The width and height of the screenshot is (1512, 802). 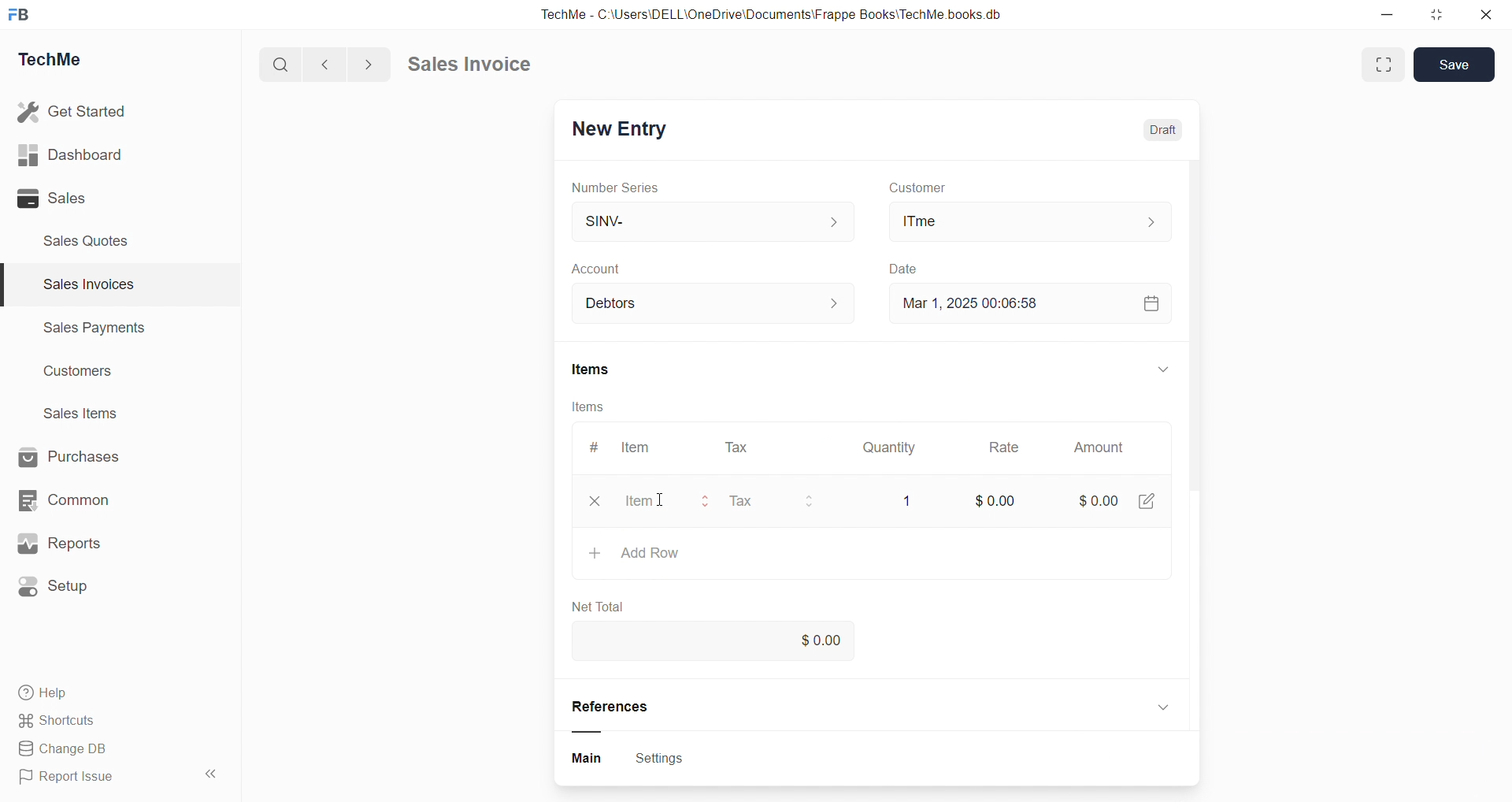 I want to click on Full width, so click(x=1381, y=64).